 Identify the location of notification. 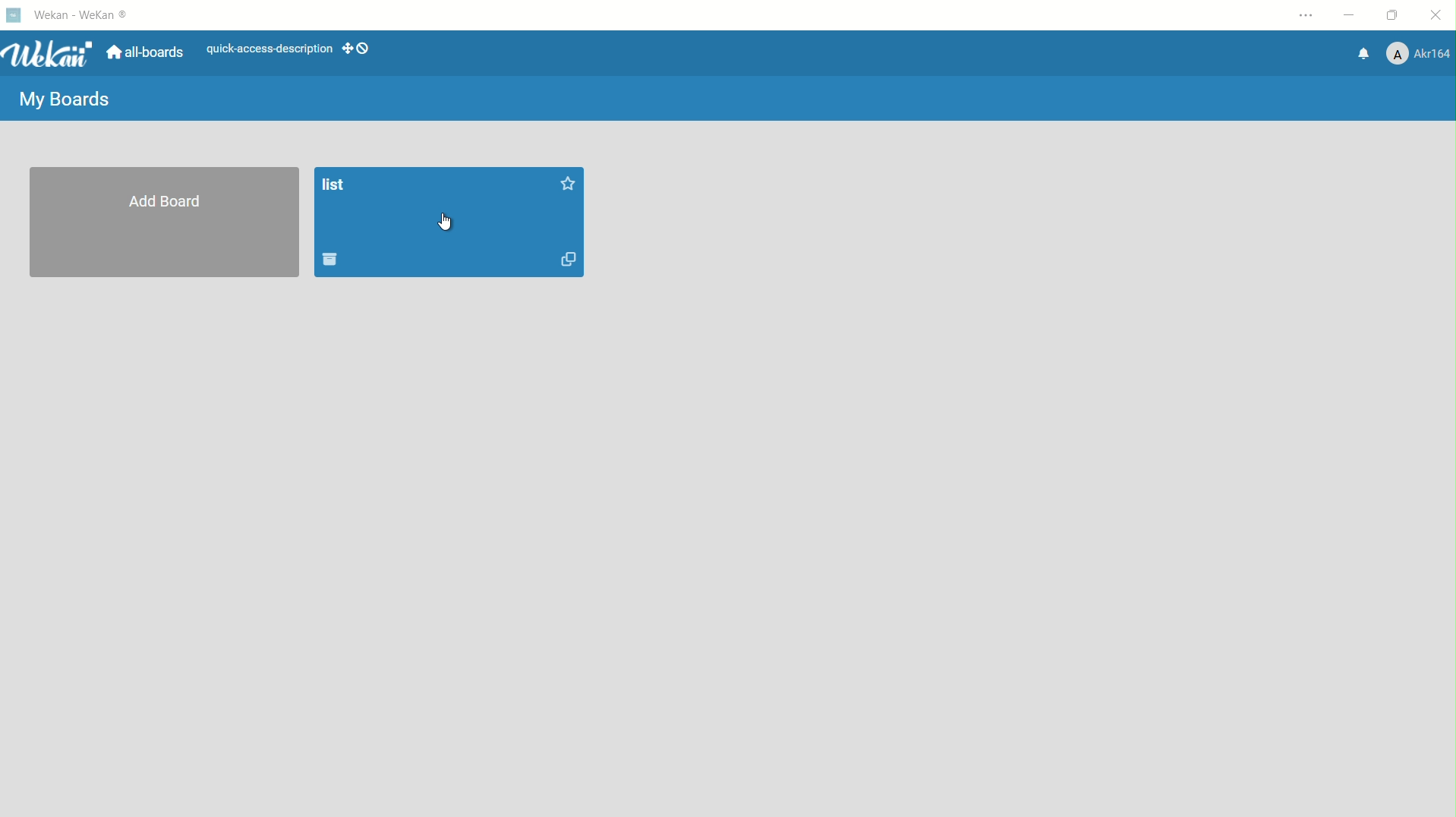
(1361, 54).